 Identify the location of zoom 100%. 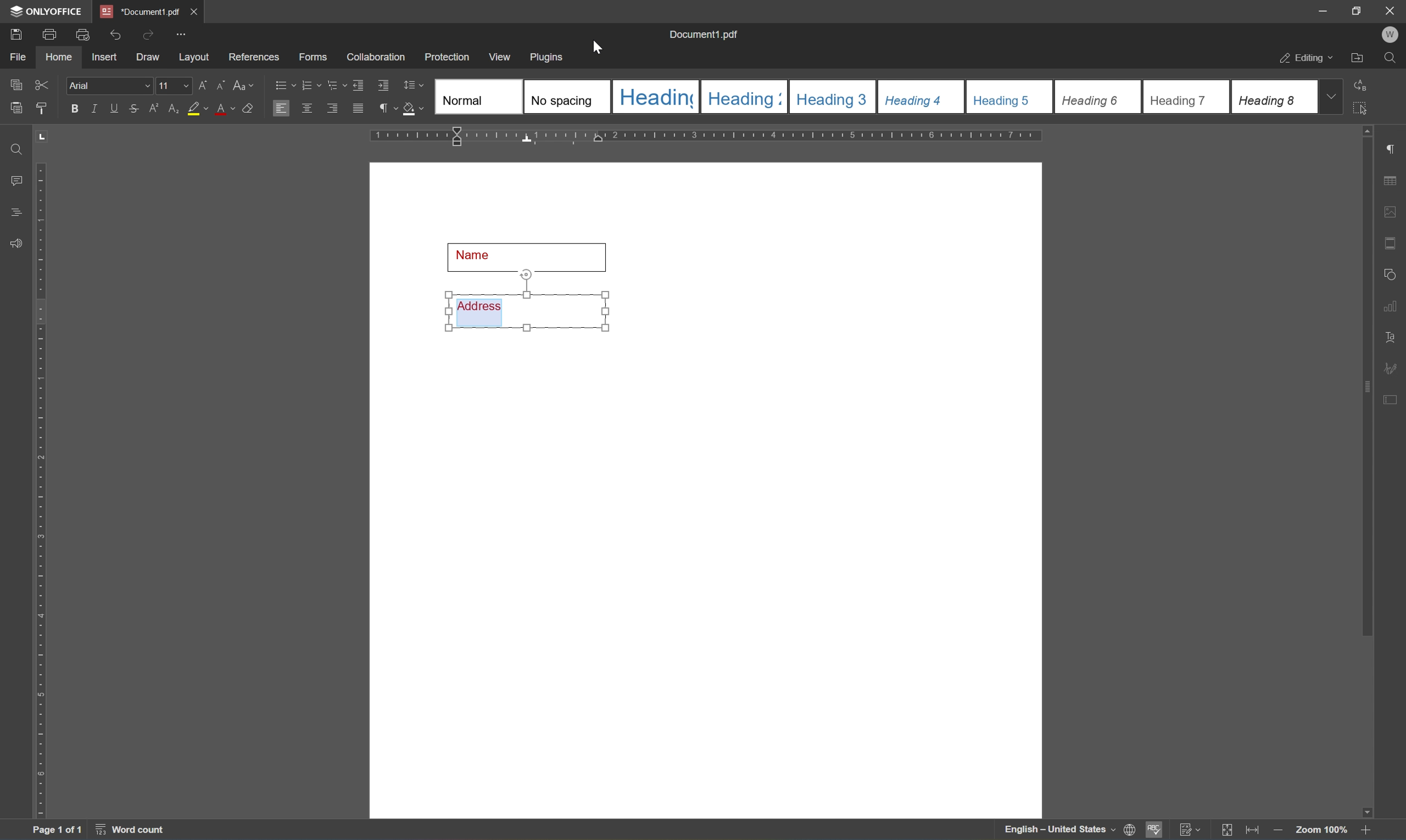
(1321, 829).